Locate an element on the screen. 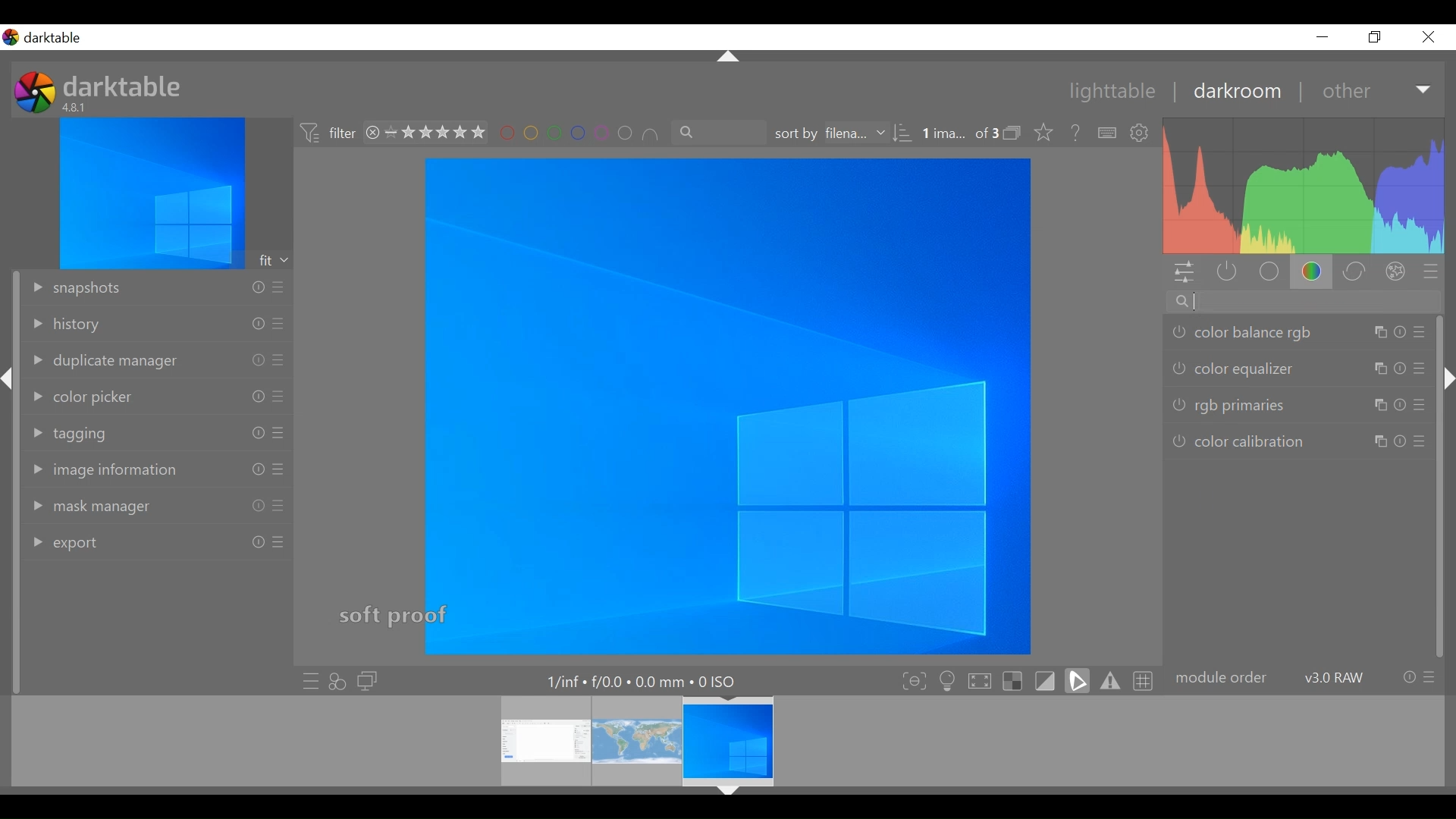  lighttable is located at coordinates (1111, 93).